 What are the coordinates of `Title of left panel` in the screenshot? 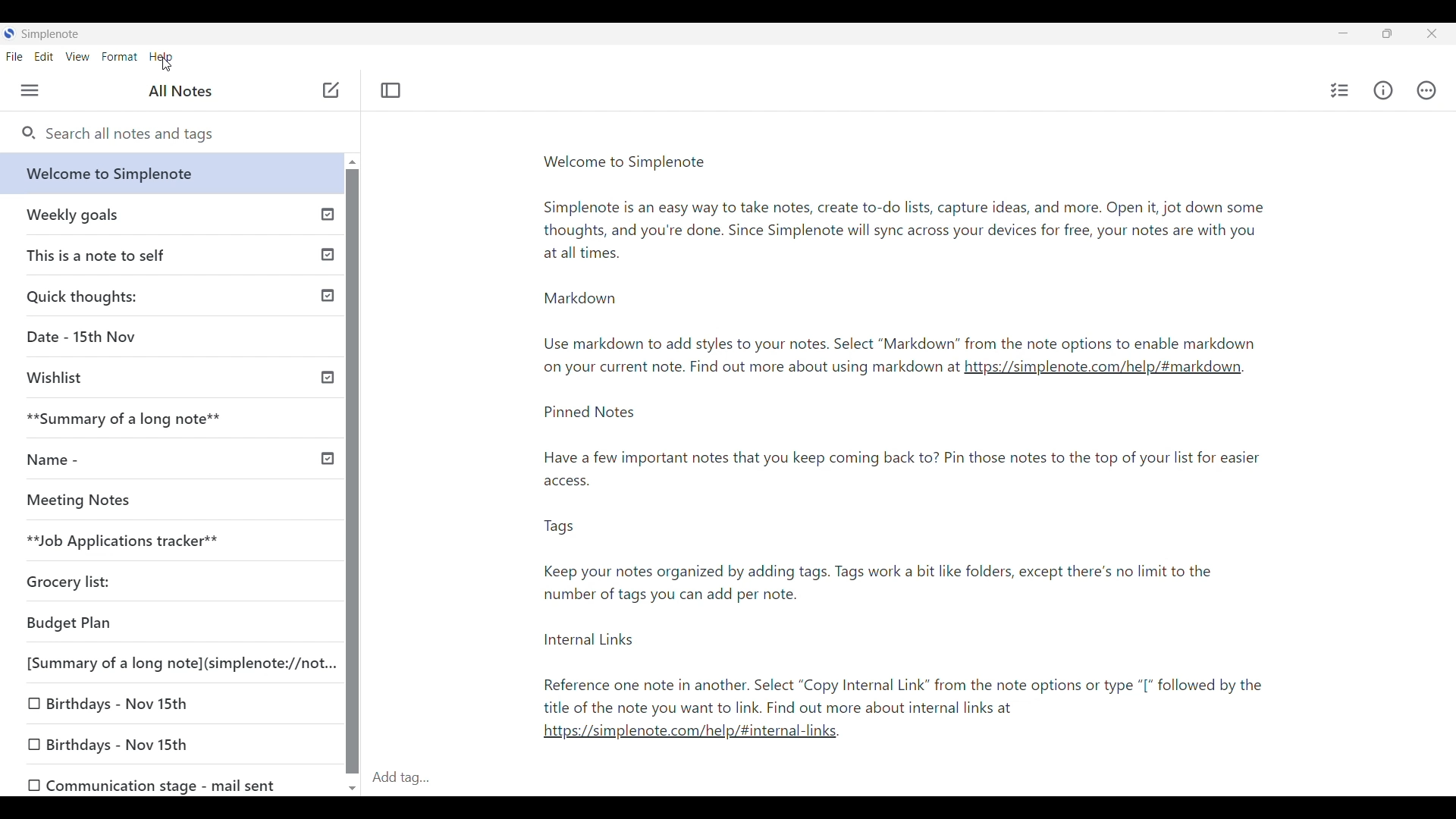 It's located at (180, 91).